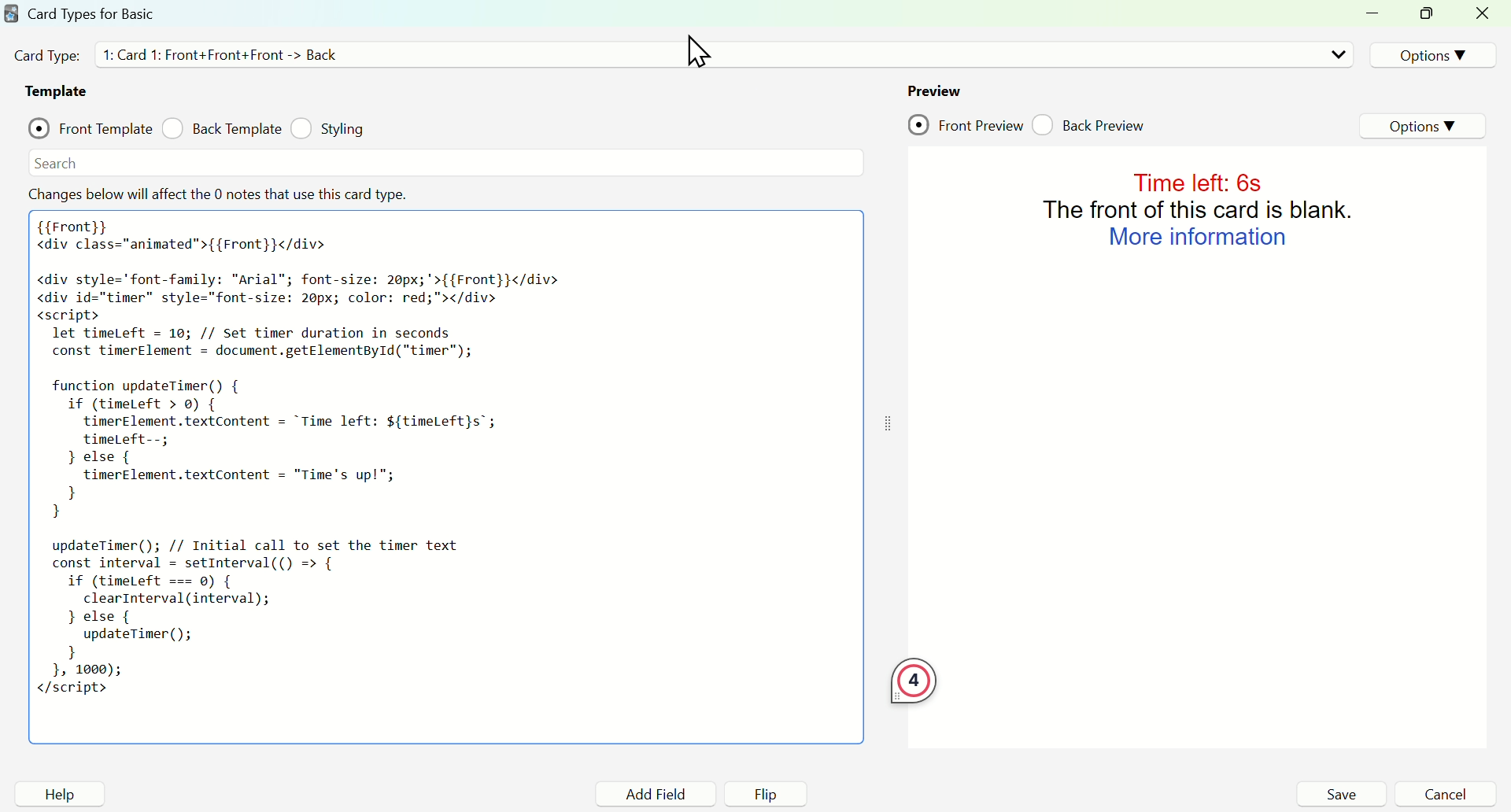  Describe the element at coordinates (57, 163) in the screenshot. I see `Search` at that location.